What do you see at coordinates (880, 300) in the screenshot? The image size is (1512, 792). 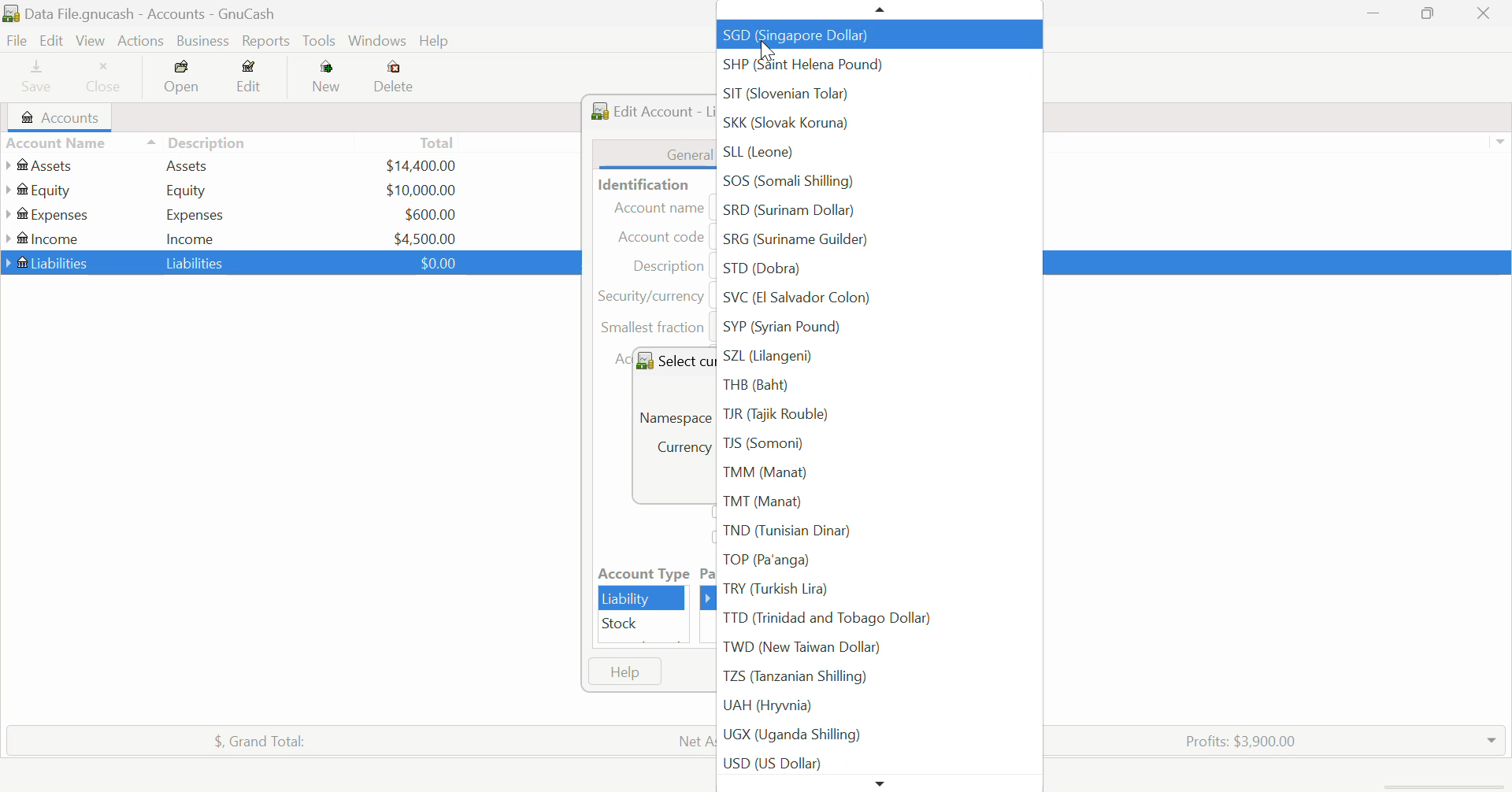 I see `SVC` at bounding box center [880, 300].